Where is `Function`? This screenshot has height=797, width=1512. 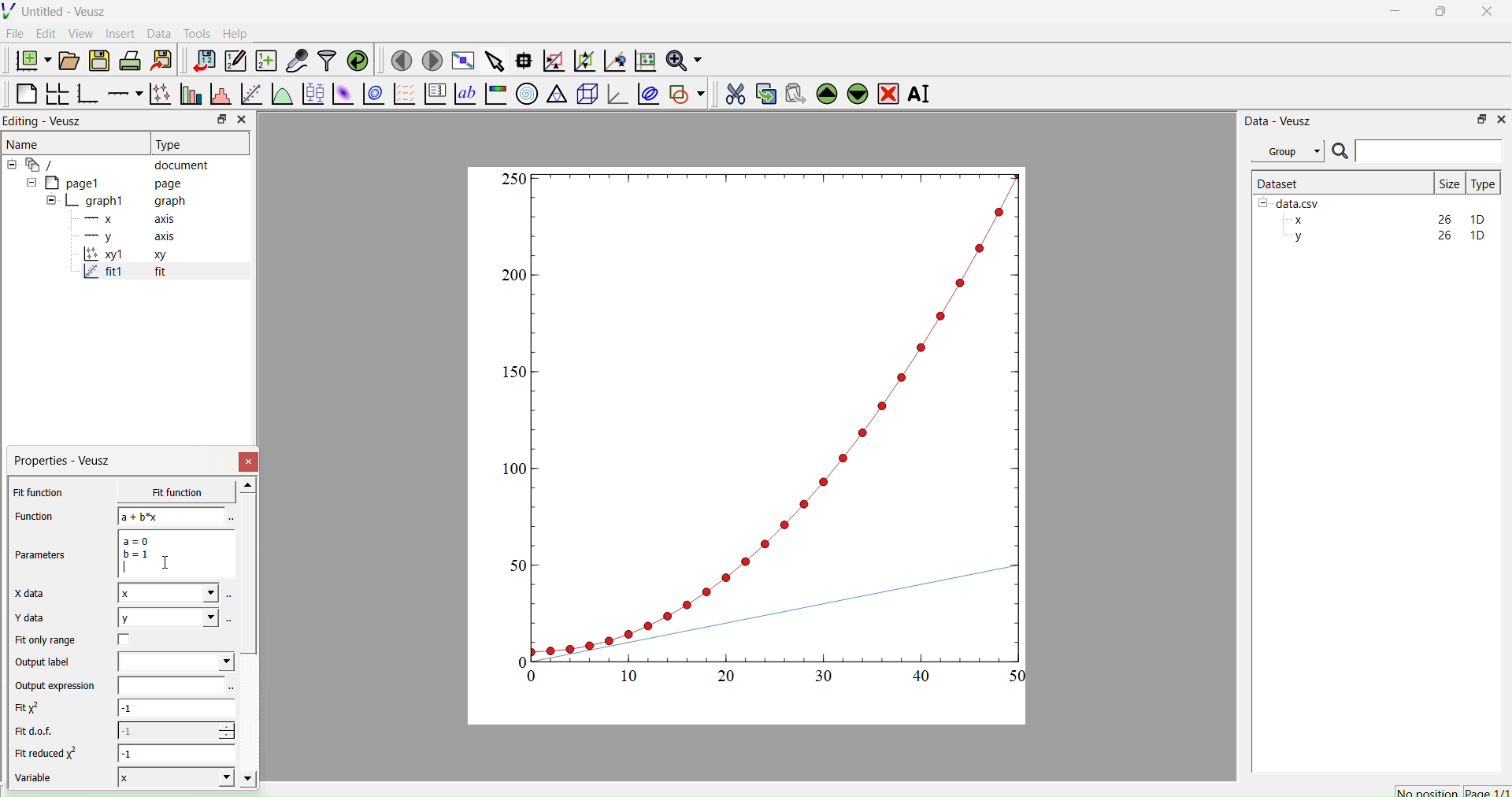
Function is located at coordinates (32, 516).